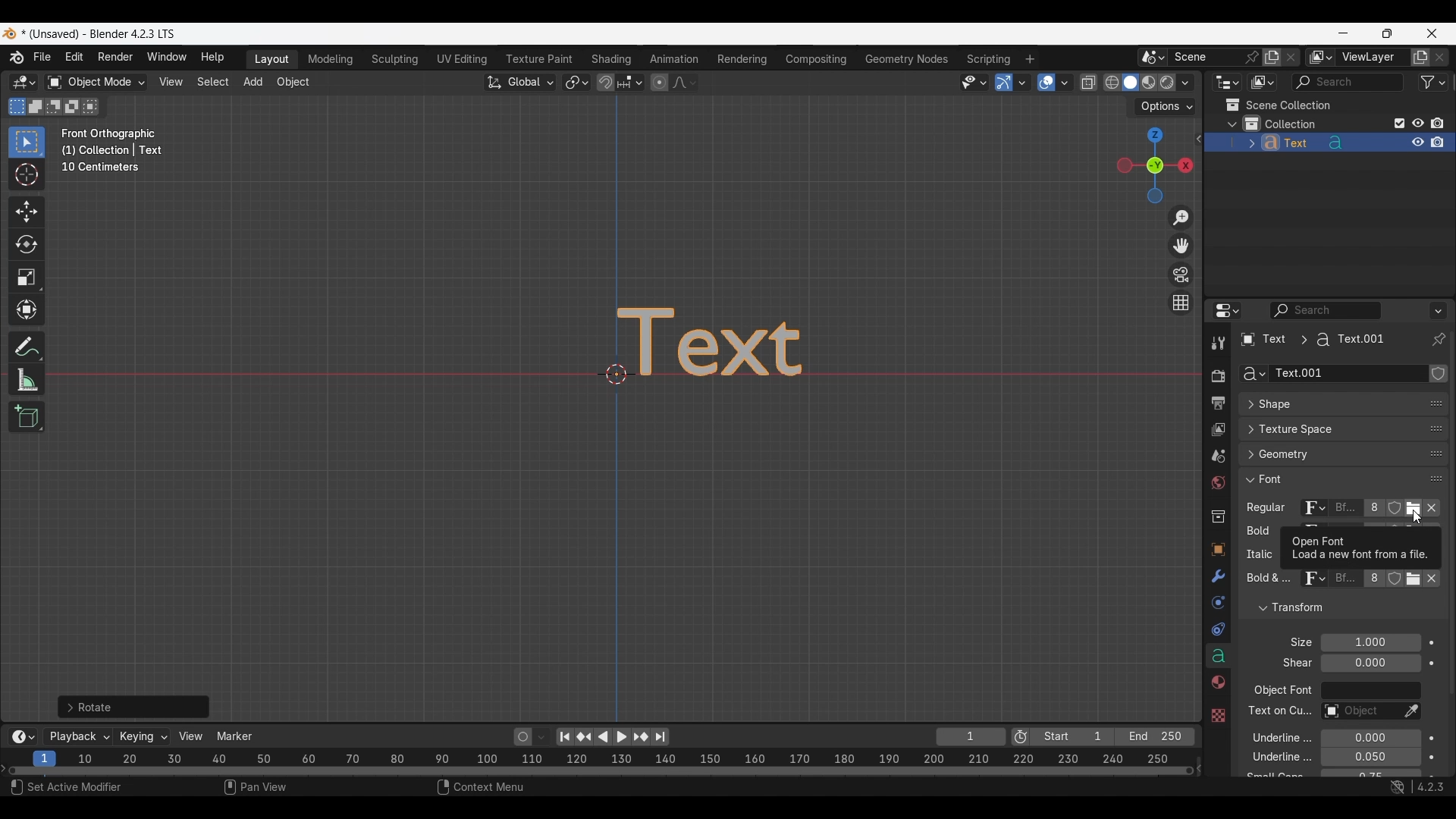  I want to click on name of current font, so click(1345, 584).